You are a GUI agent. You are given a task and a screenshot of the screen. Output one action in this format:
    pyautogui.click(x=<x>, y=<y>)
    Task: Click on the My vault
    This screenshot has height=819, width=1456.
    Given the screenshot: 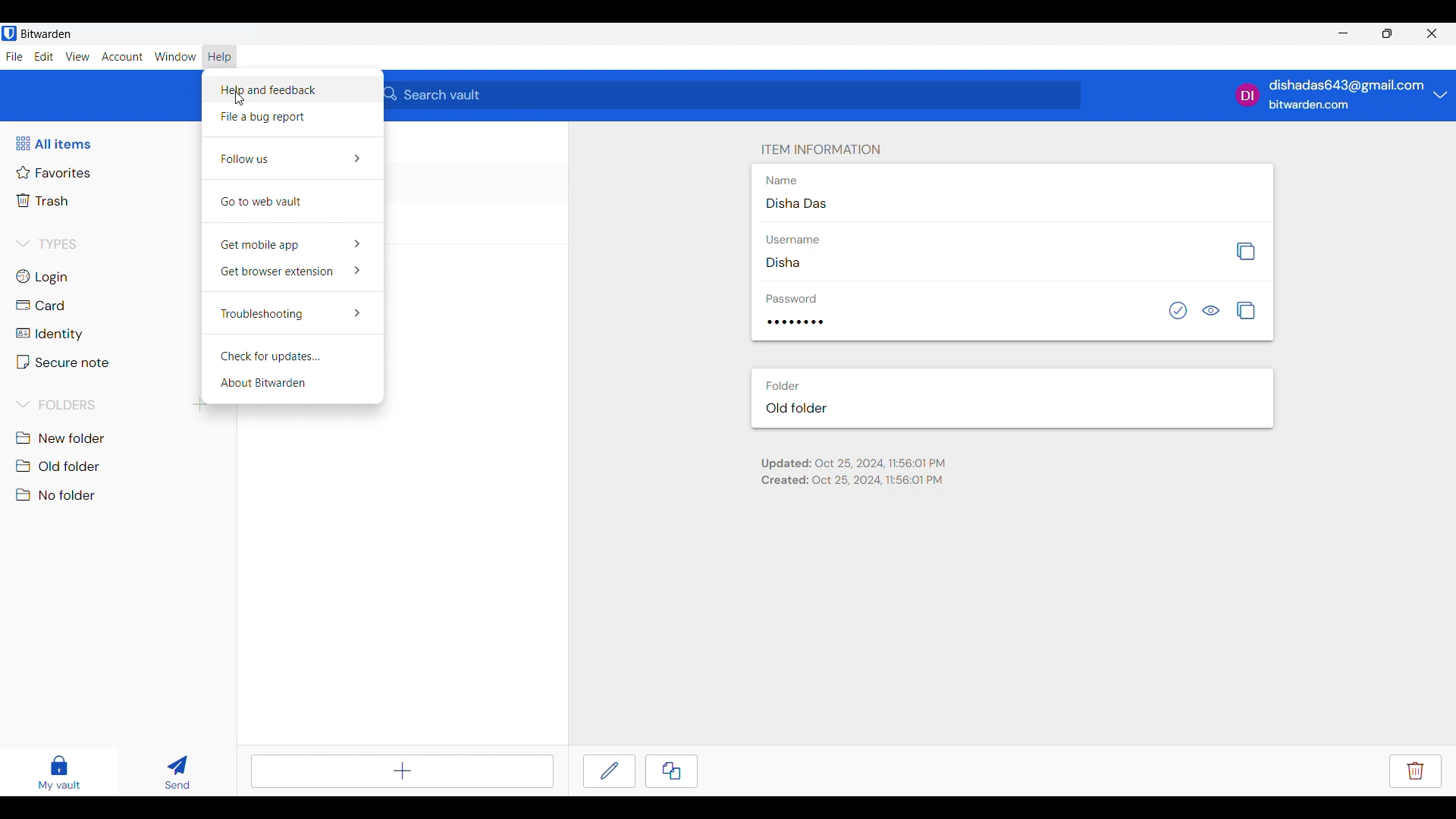 What is the action you would take?
    pyautogui.click(x=59, y=773)
    